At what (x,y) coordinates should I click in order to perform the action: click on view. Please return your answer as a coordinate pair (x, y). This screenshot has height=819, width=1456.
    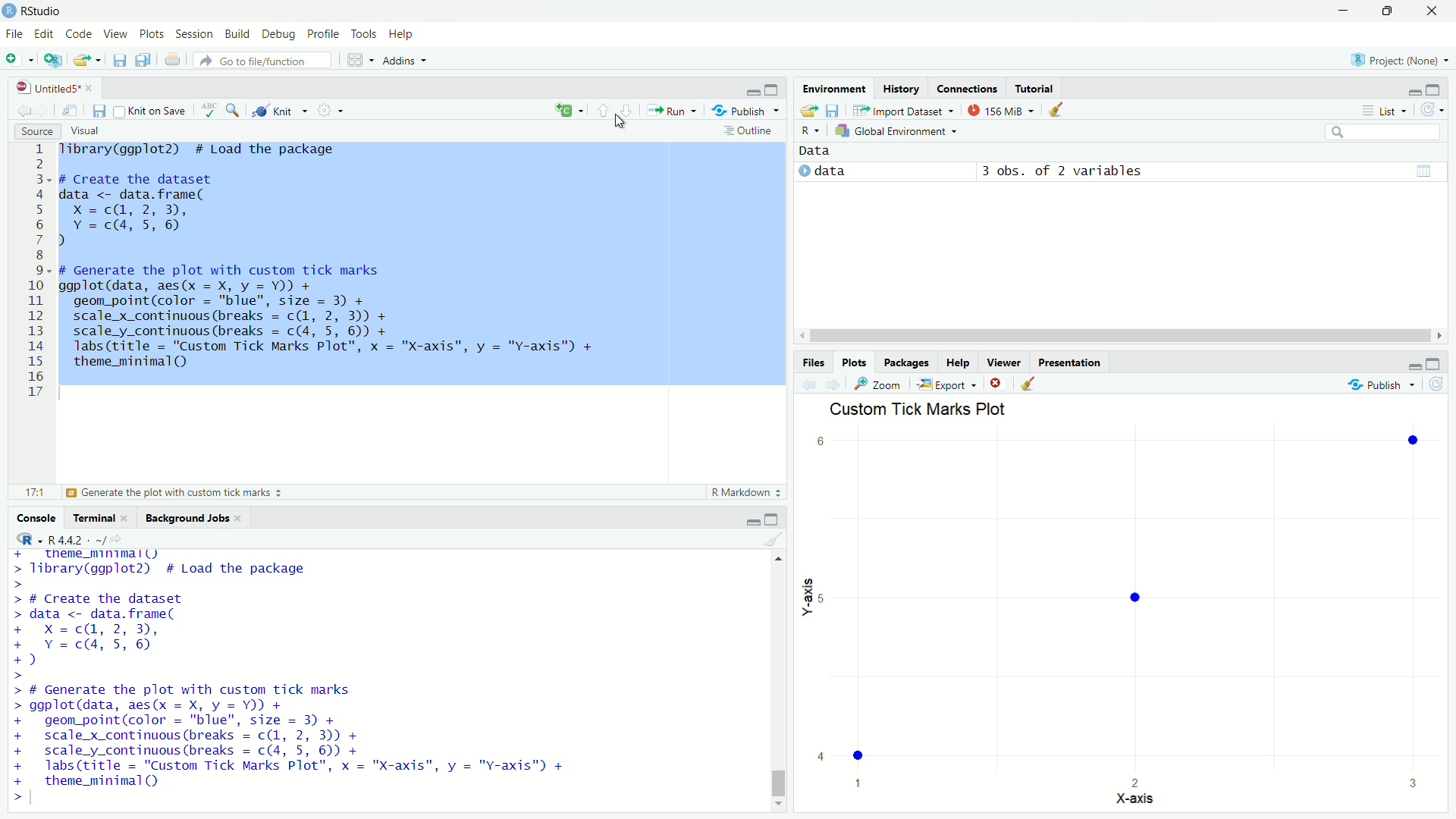
    Looking at the image, I should click on (115, 35).